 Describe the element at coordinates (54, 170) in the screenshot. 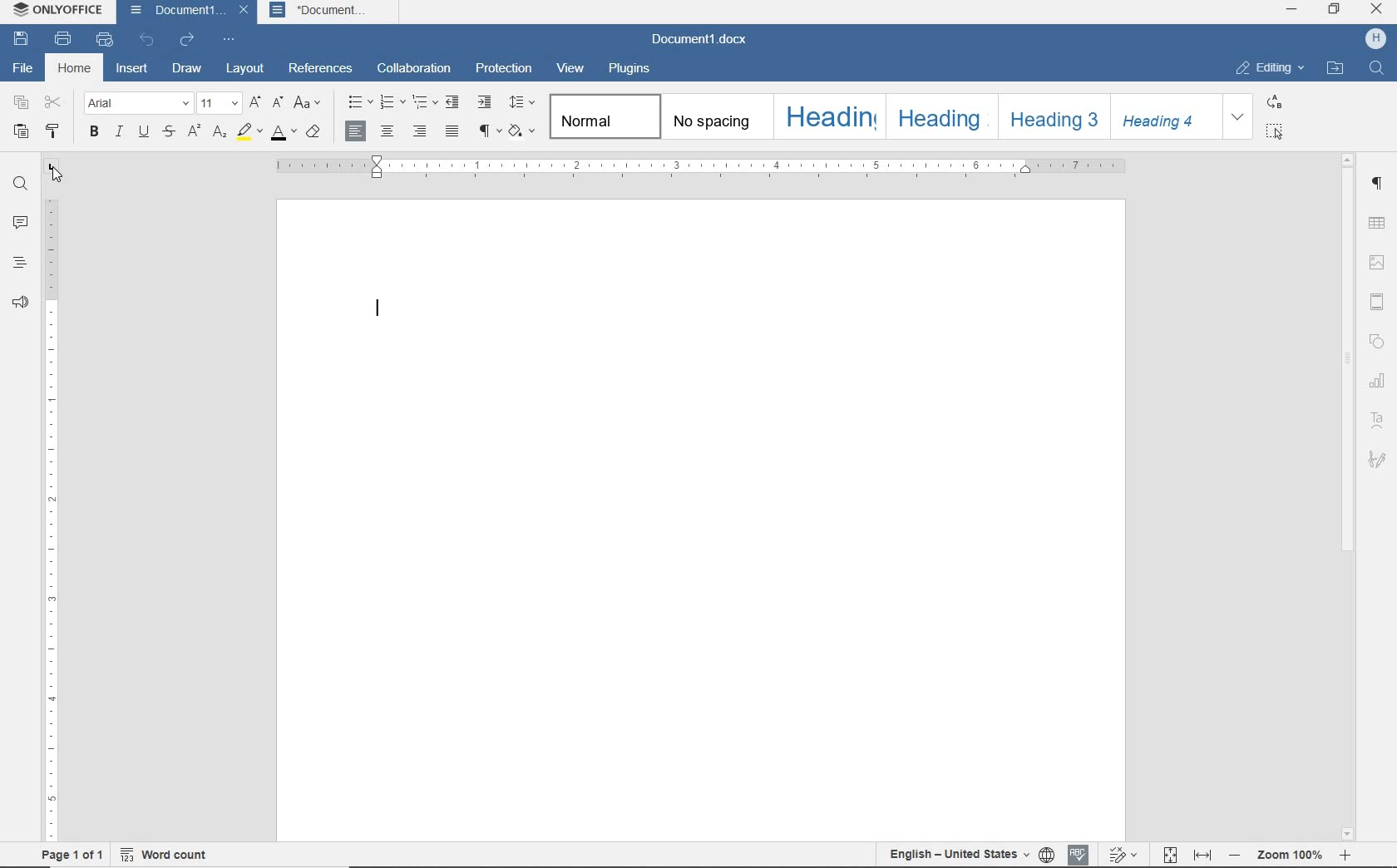

I see `TAB STOP` at that location.